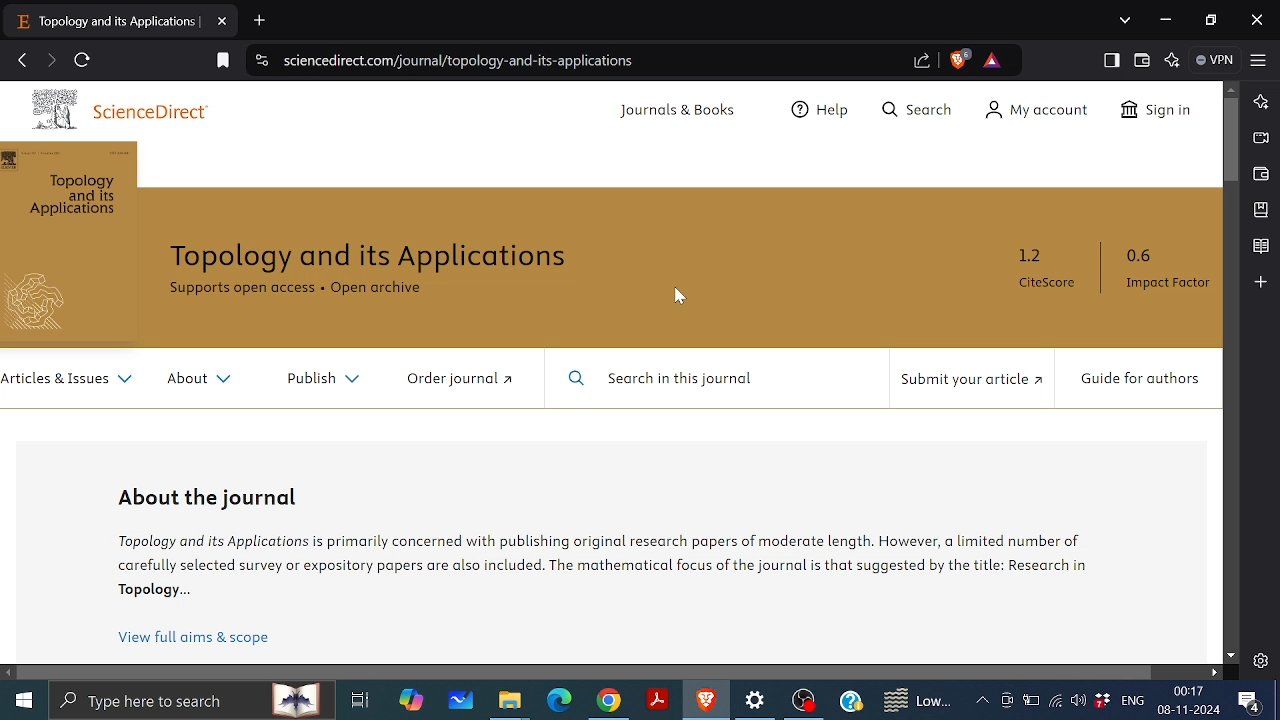 This screenshot has height=720, width=1280. I want to click on Start, so click(24, 701).